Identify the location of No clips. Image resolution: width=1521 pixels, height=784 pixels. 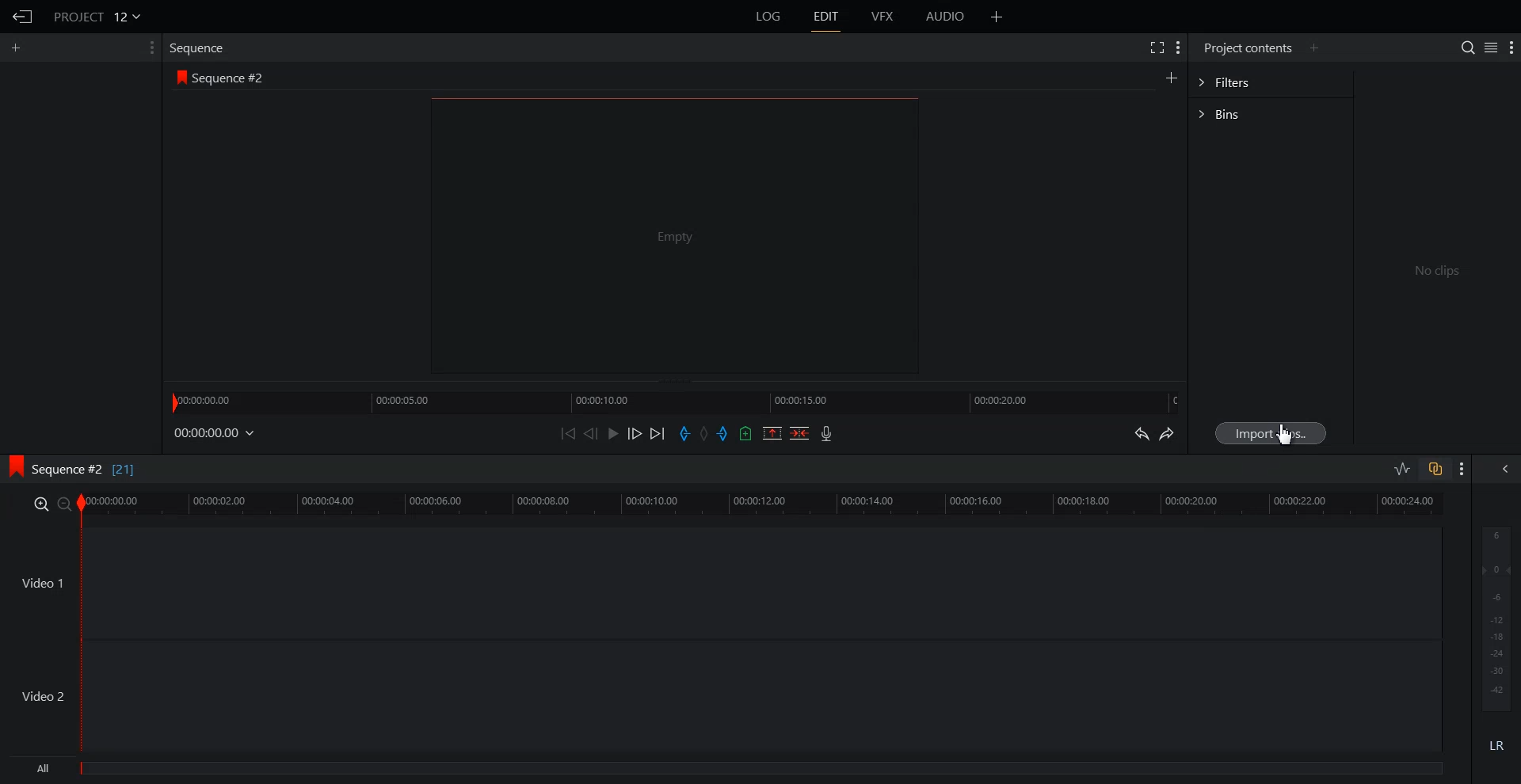
(1439, 271).